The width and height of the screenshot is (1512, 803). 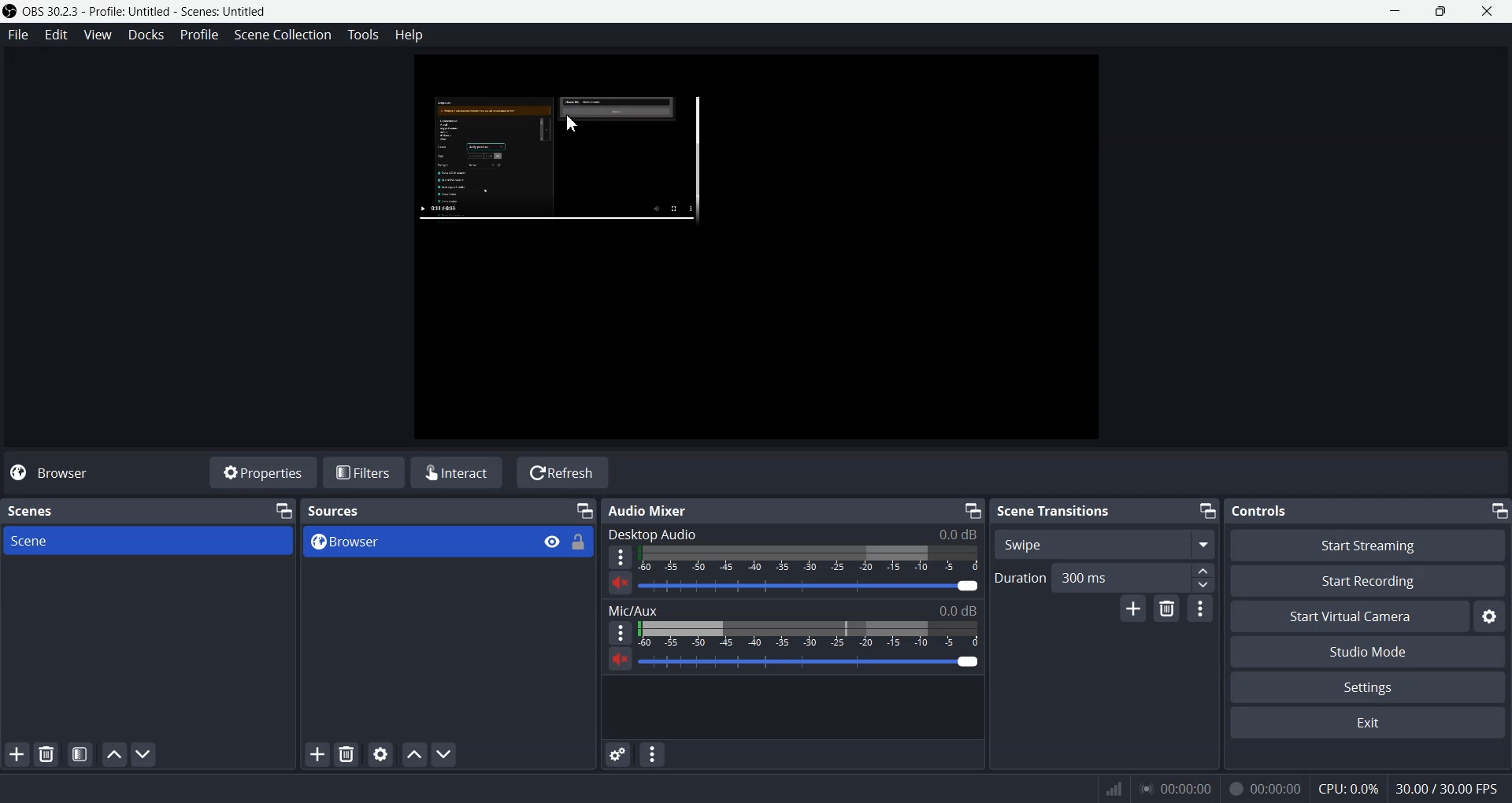 I want to click on Cursor, so click(x=570, y=124).